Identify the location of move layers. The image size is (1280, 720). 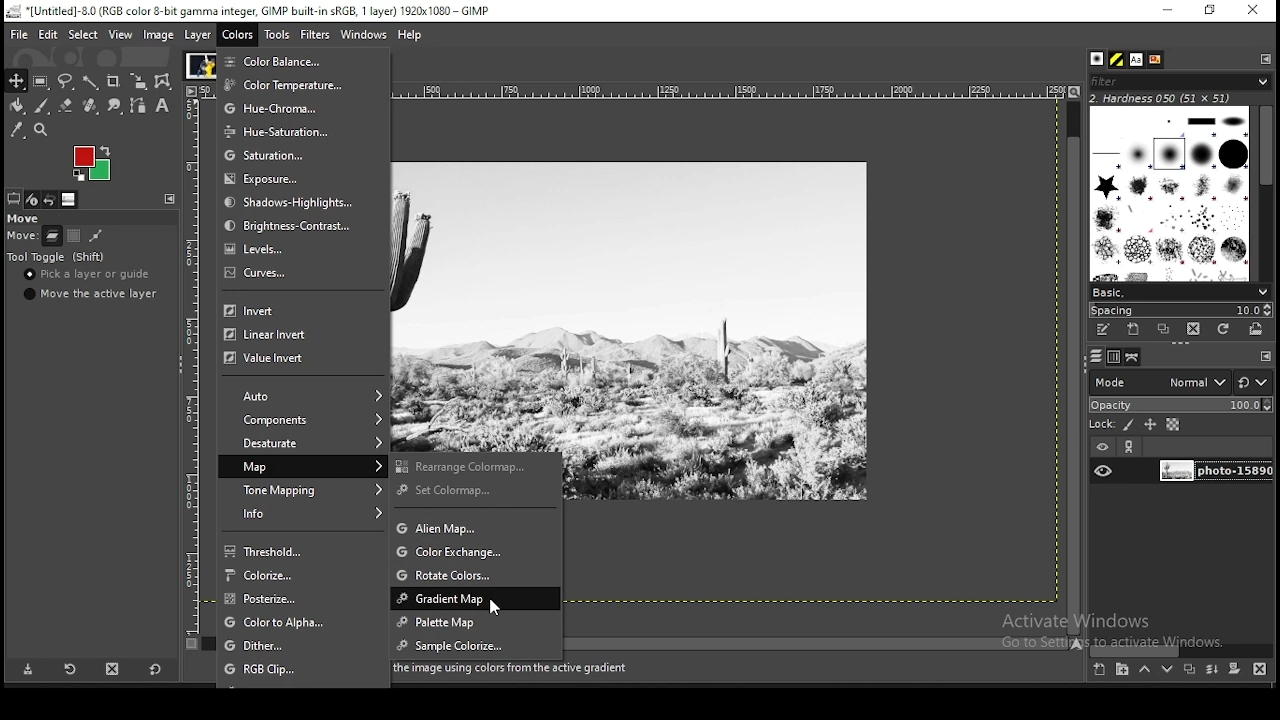
(52, 235).